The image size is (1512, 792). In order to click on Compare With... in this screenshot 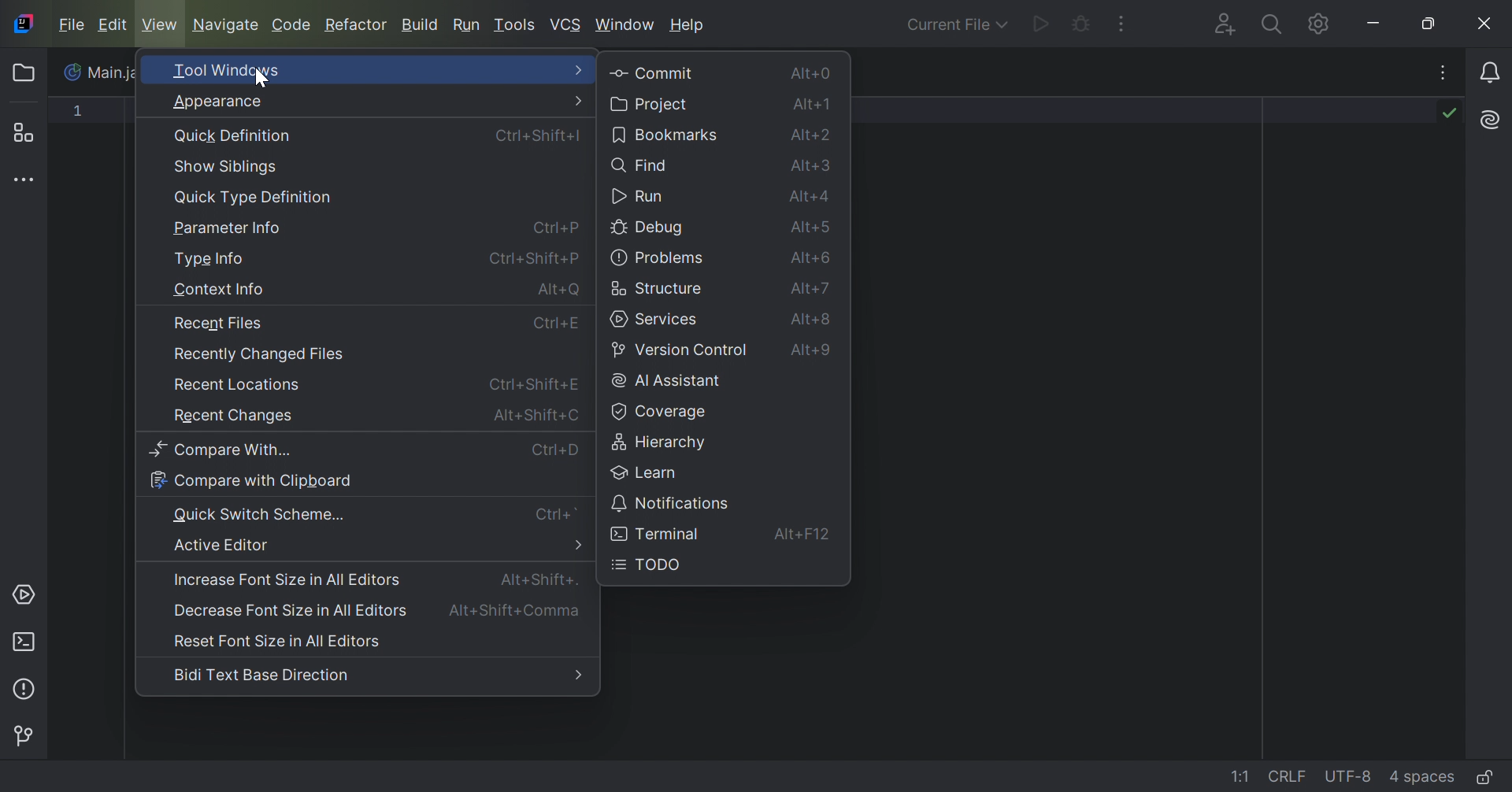, I will do `click(228, 450)`.